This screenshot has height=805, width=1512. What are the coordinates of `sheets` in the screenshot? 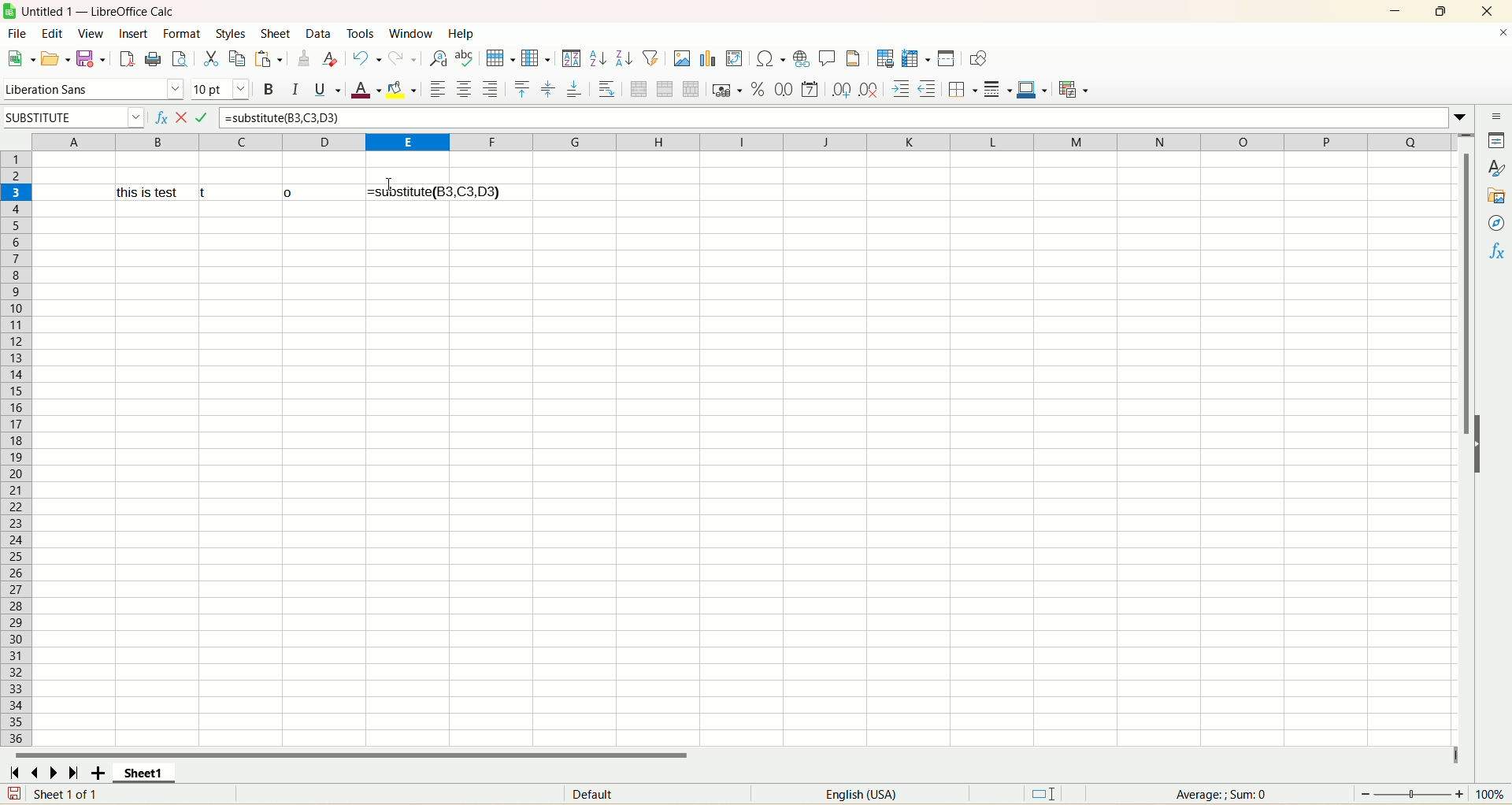 It's located at (276, 32).